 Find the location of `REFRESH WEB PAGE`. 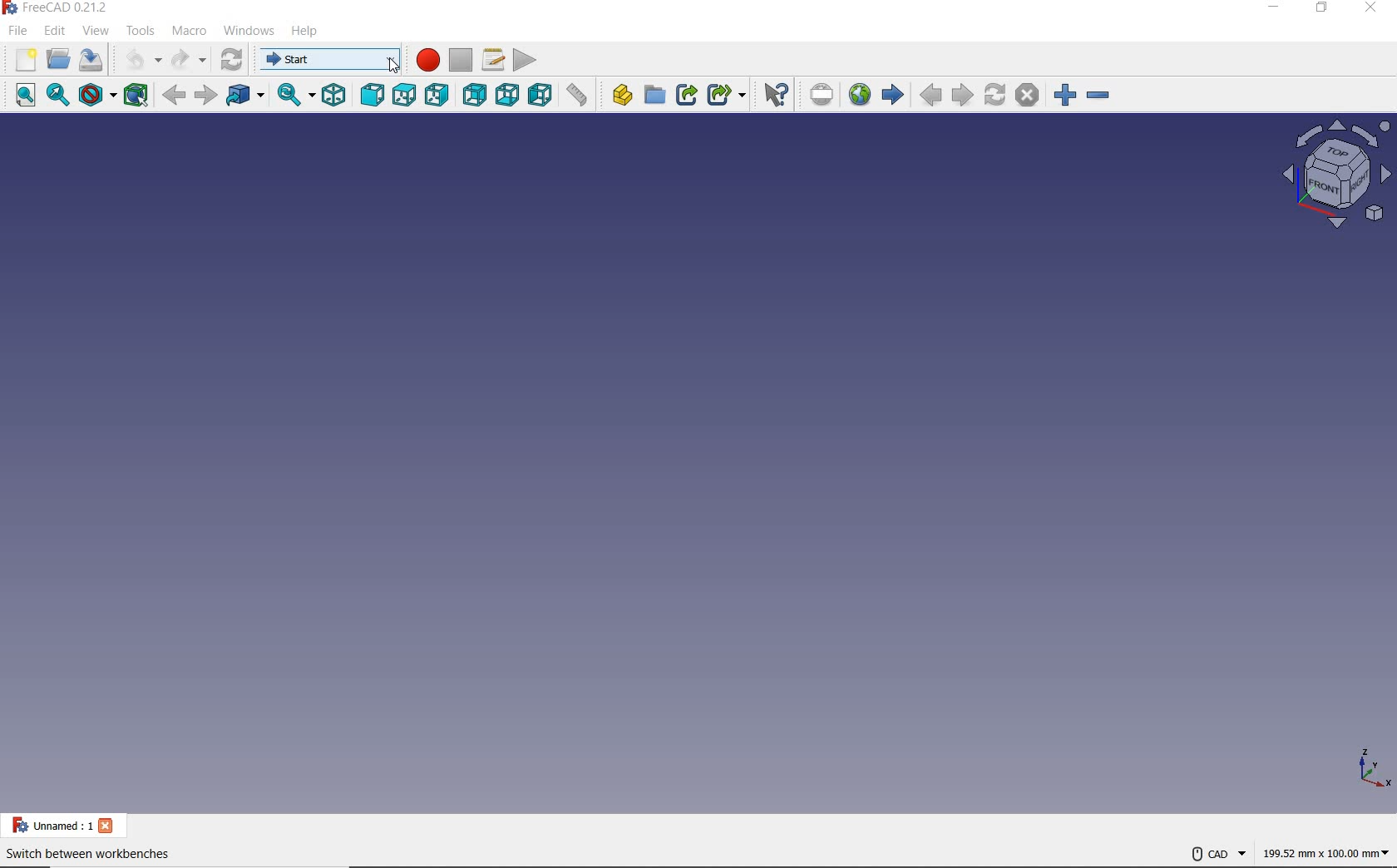

REFRESH WEB PAGE is located at coordinates (995, 94).